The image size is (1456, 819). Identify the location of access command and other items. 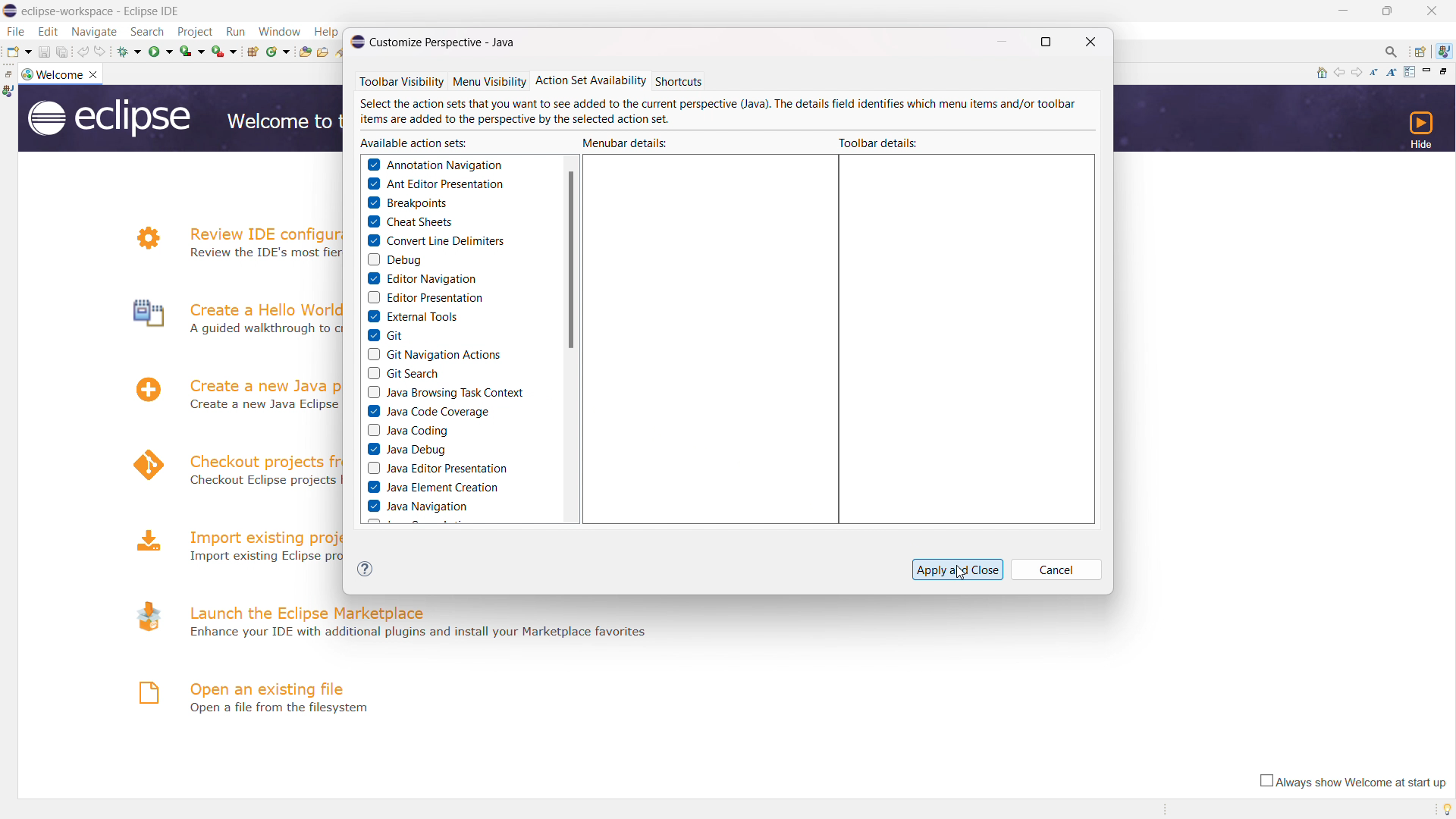
(1392, 52).